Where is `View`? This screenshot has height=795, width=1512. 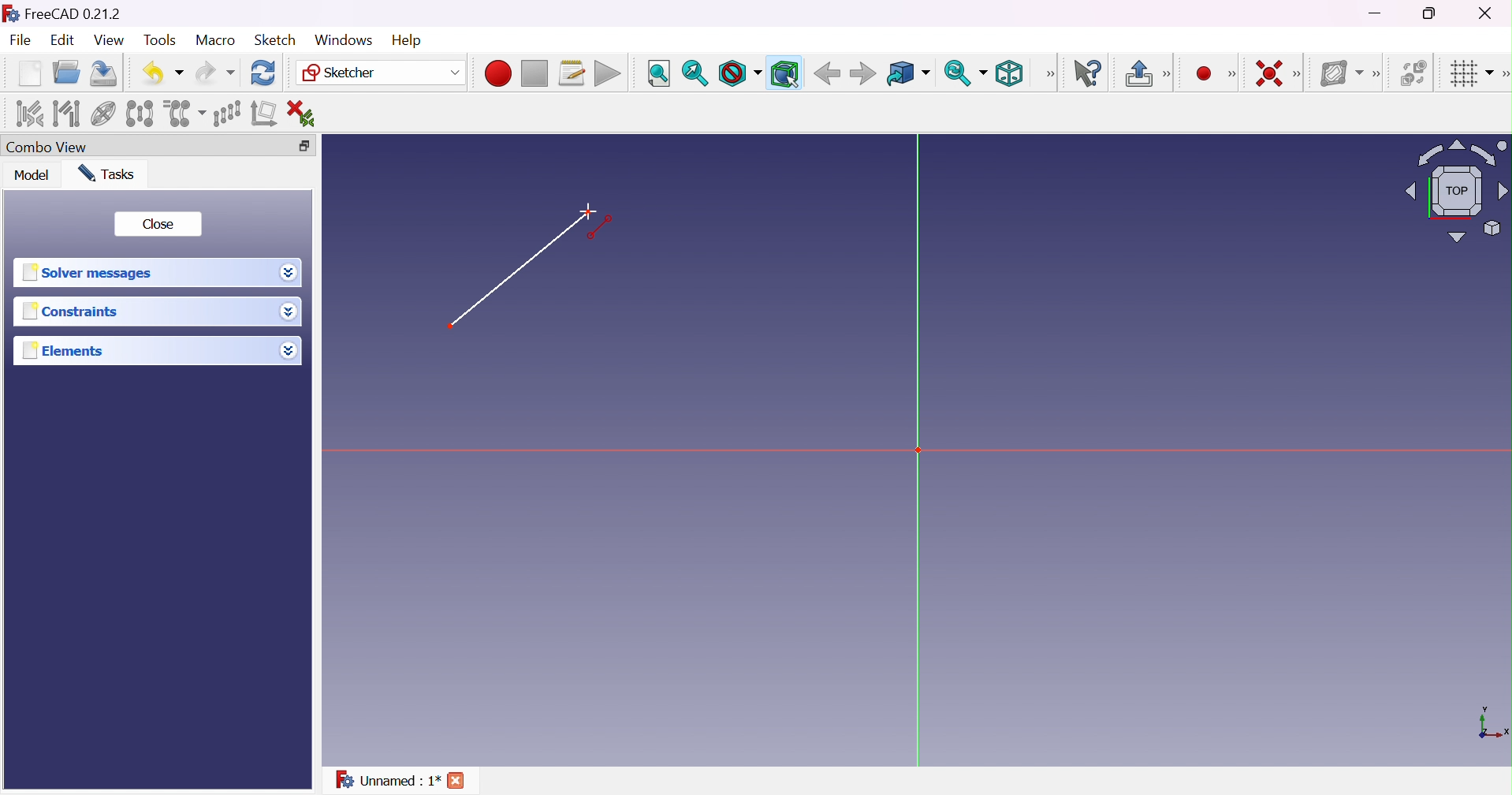 View is located at coordinates (109, 40).